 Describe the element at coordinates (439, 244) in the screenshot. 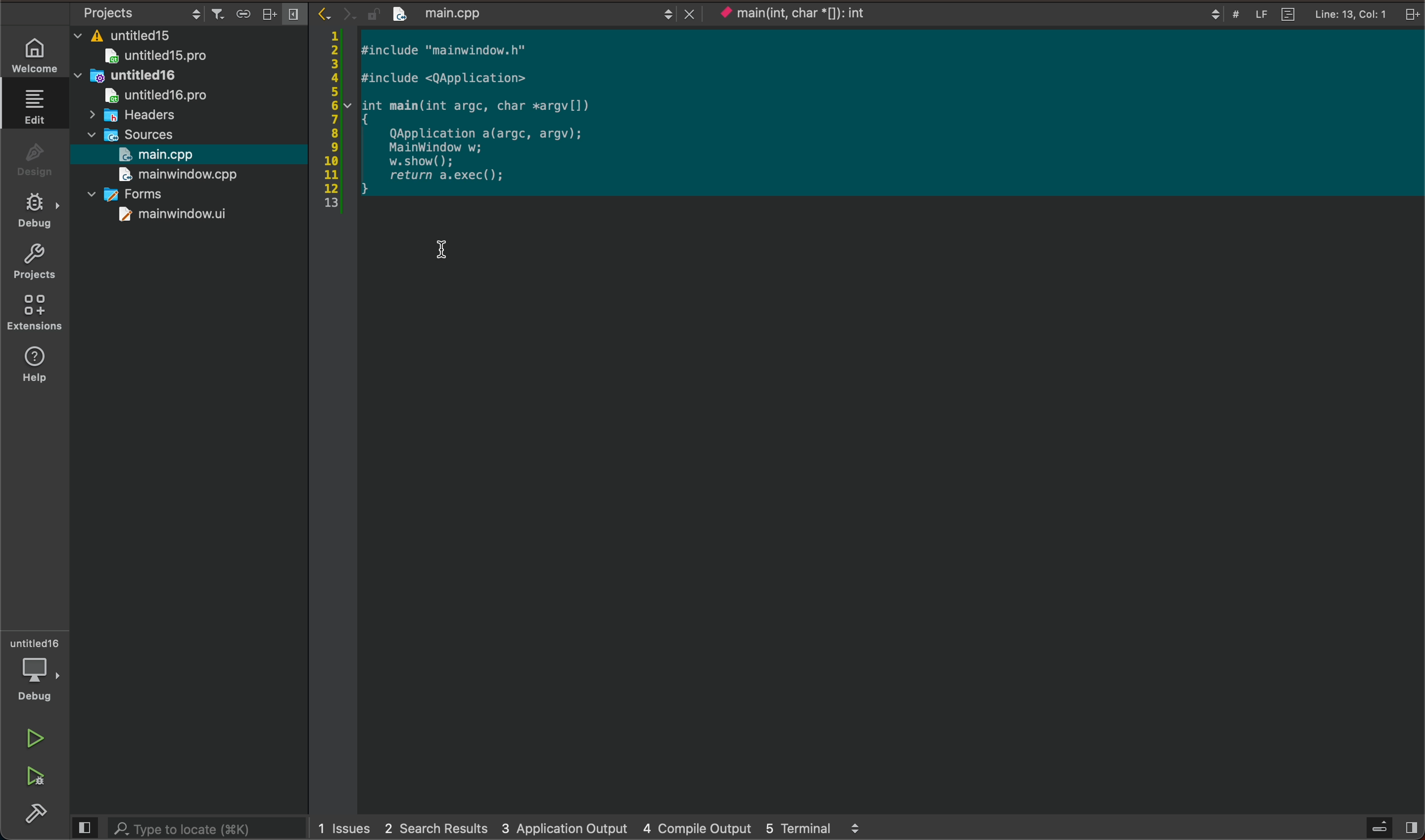

I see `cursor` at that location.